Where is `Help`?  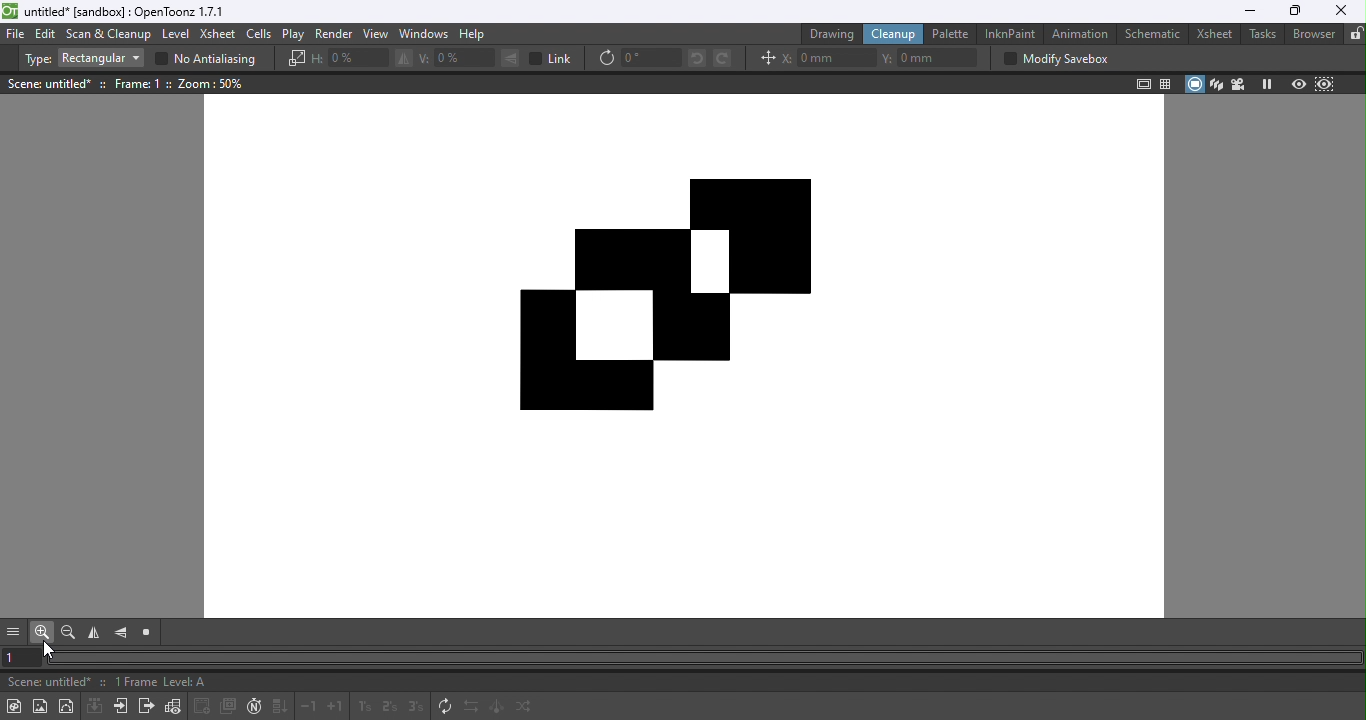 Help is located at coordinates (473, 34).